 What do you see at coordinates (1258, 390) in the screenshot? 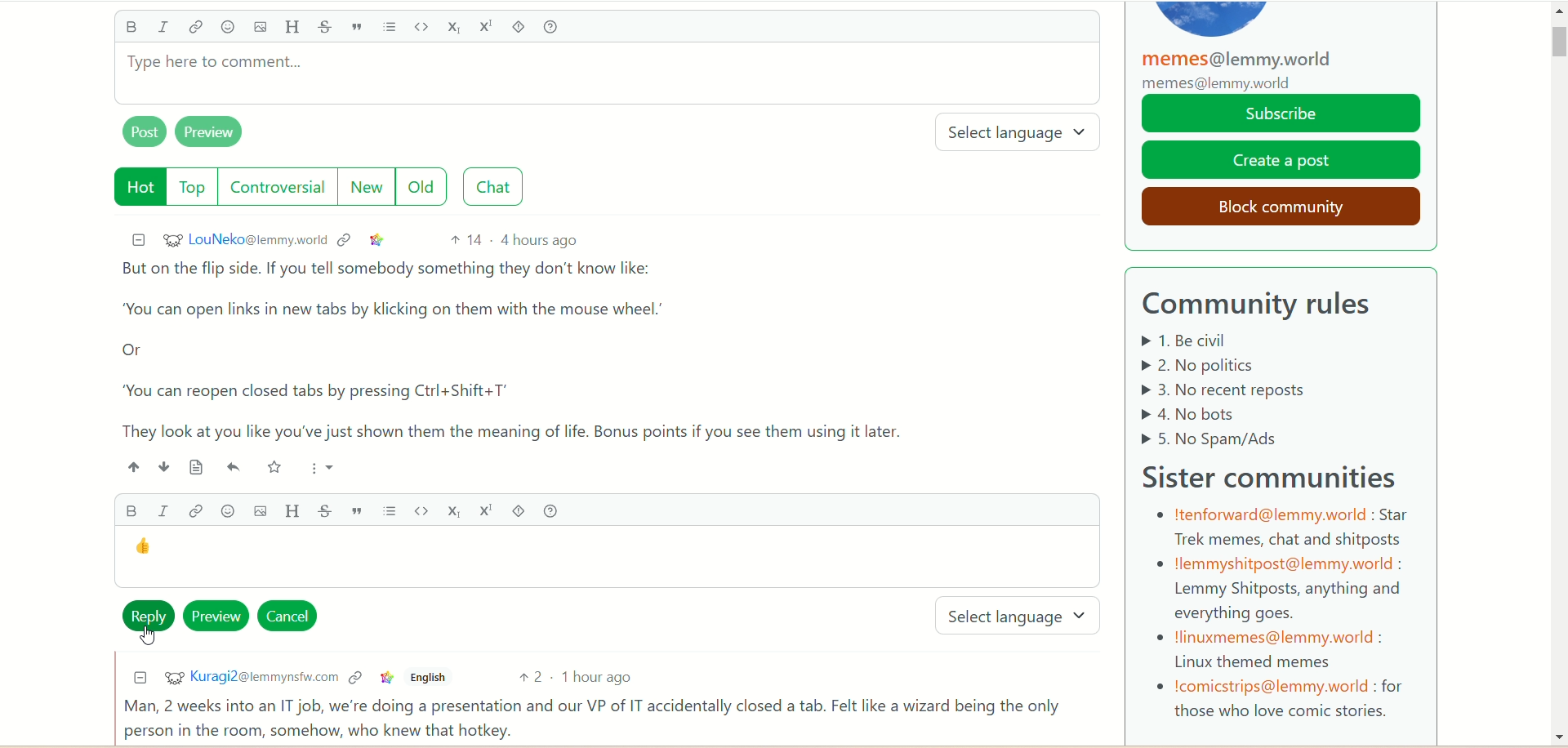
I see `Community rules listed` at bounding box center [1258, 390].